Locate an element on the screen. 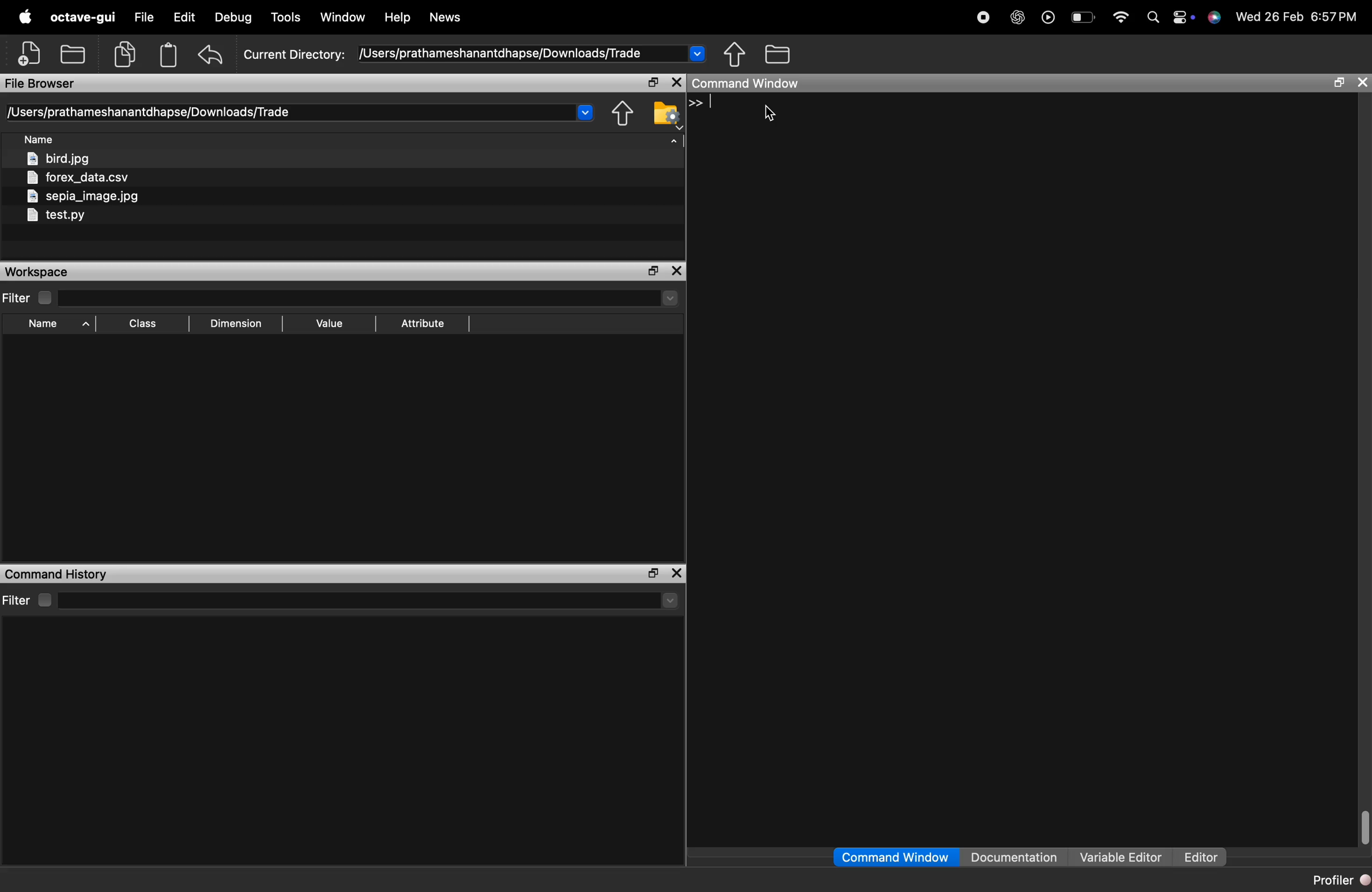 The image size is (1372, 892). support  is located at coordinates (1216, 18).